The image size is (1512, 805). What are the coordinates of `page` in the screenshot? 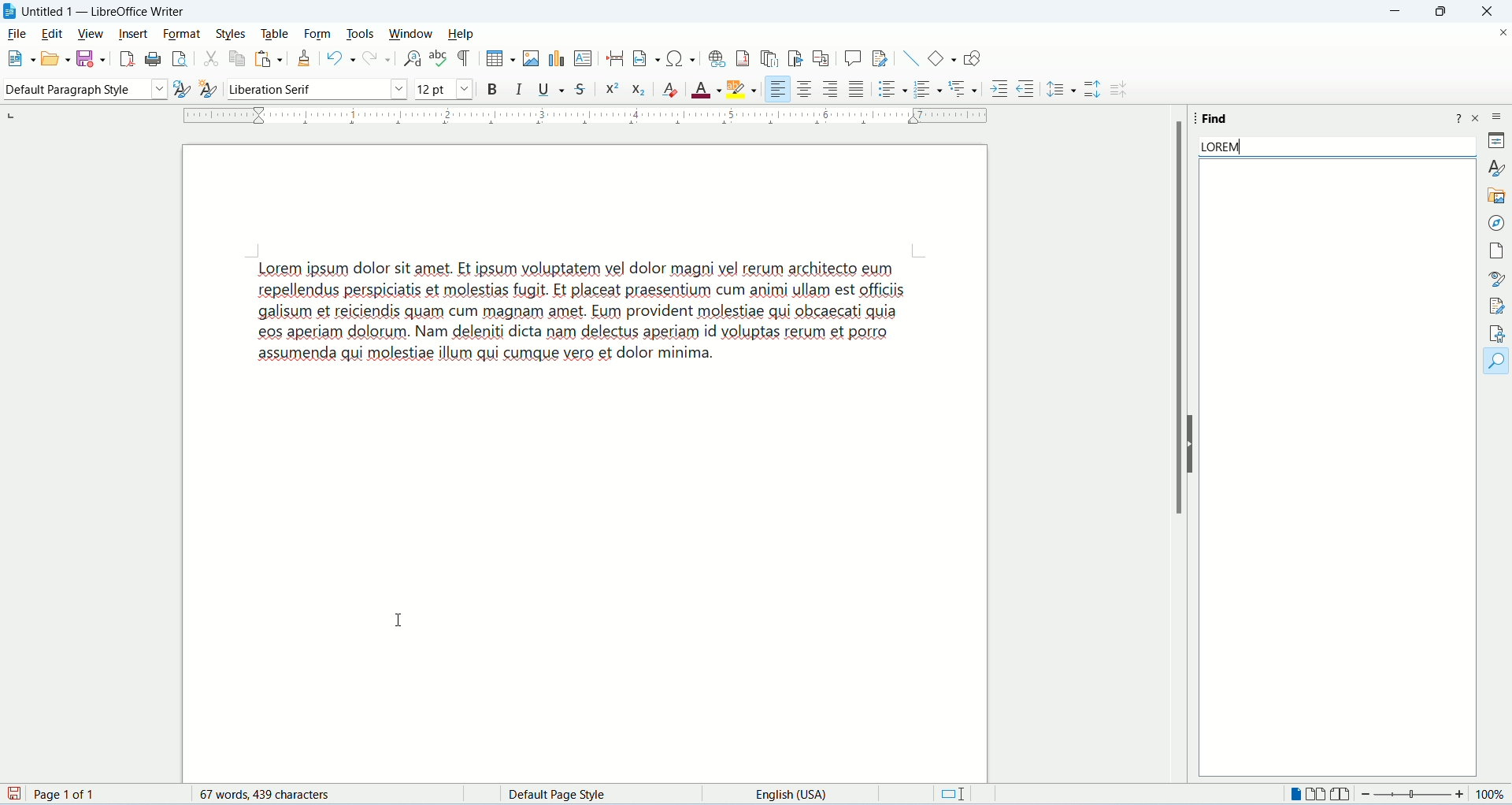 It's located at (587, 593).